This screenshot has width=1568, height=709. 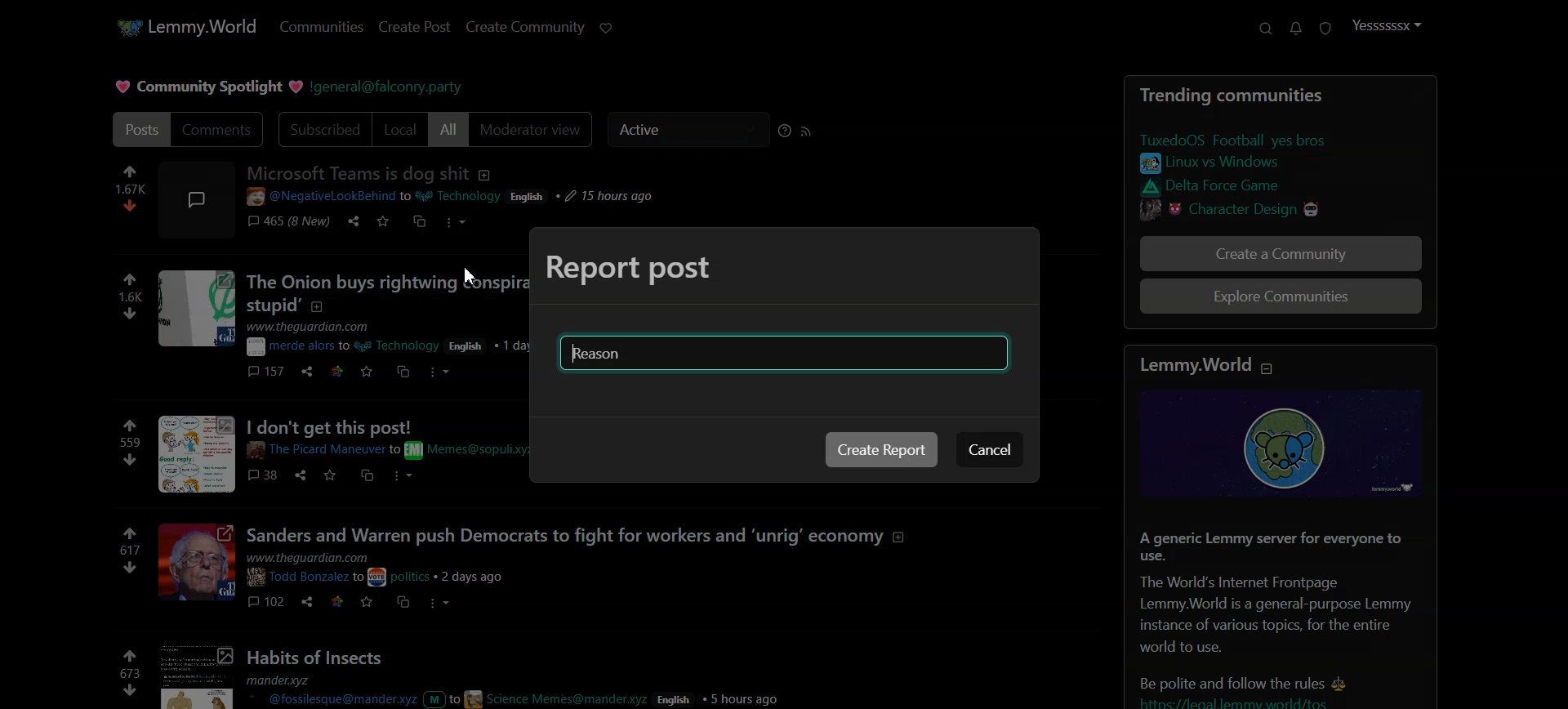 What do you see at coordinates (220, 129) in the screenshot?
I see `Comments` at bounding box center [220, 129].